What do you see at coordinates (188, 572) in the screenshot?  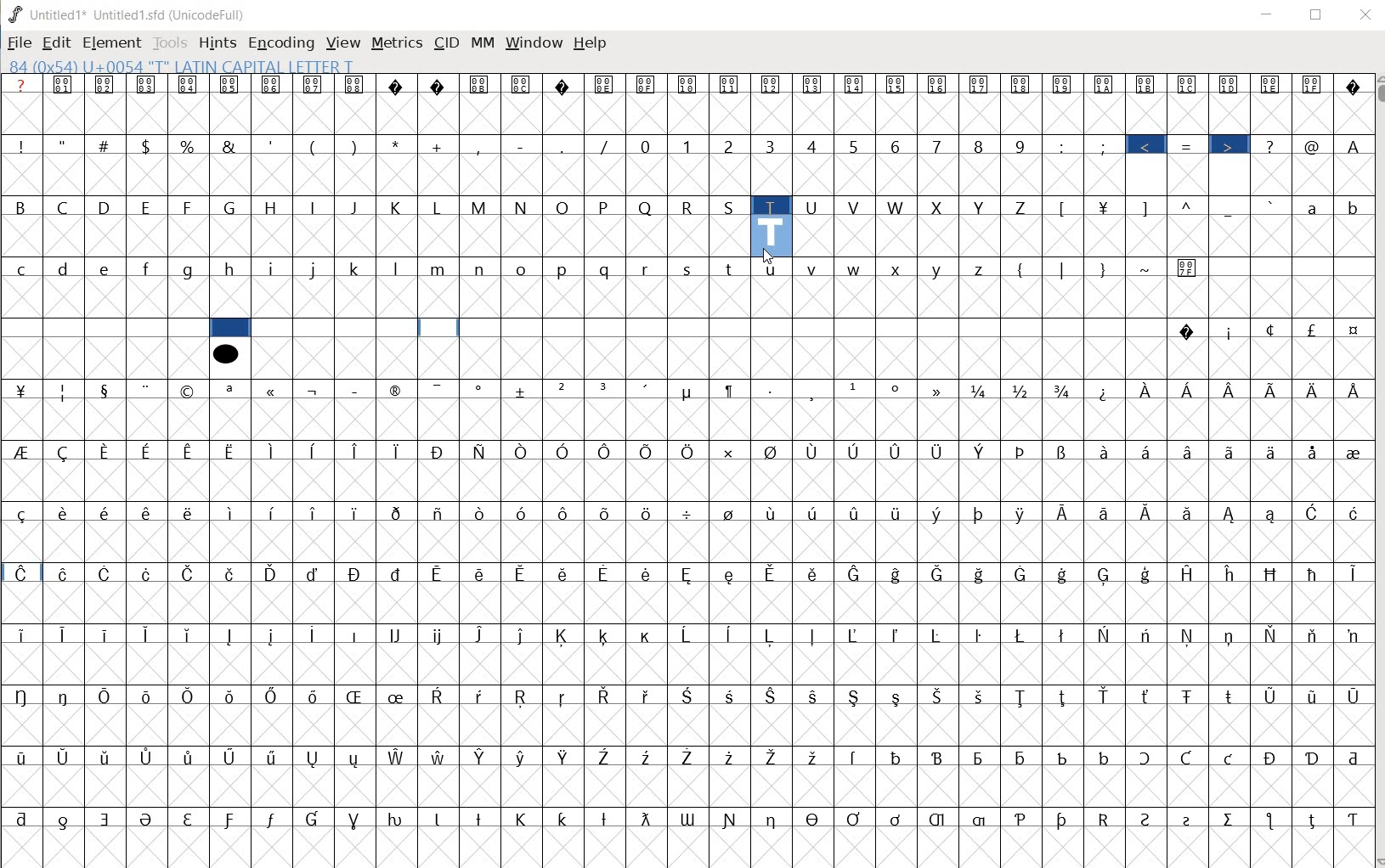 I see `Symbol` at bounding box center [188, 572].